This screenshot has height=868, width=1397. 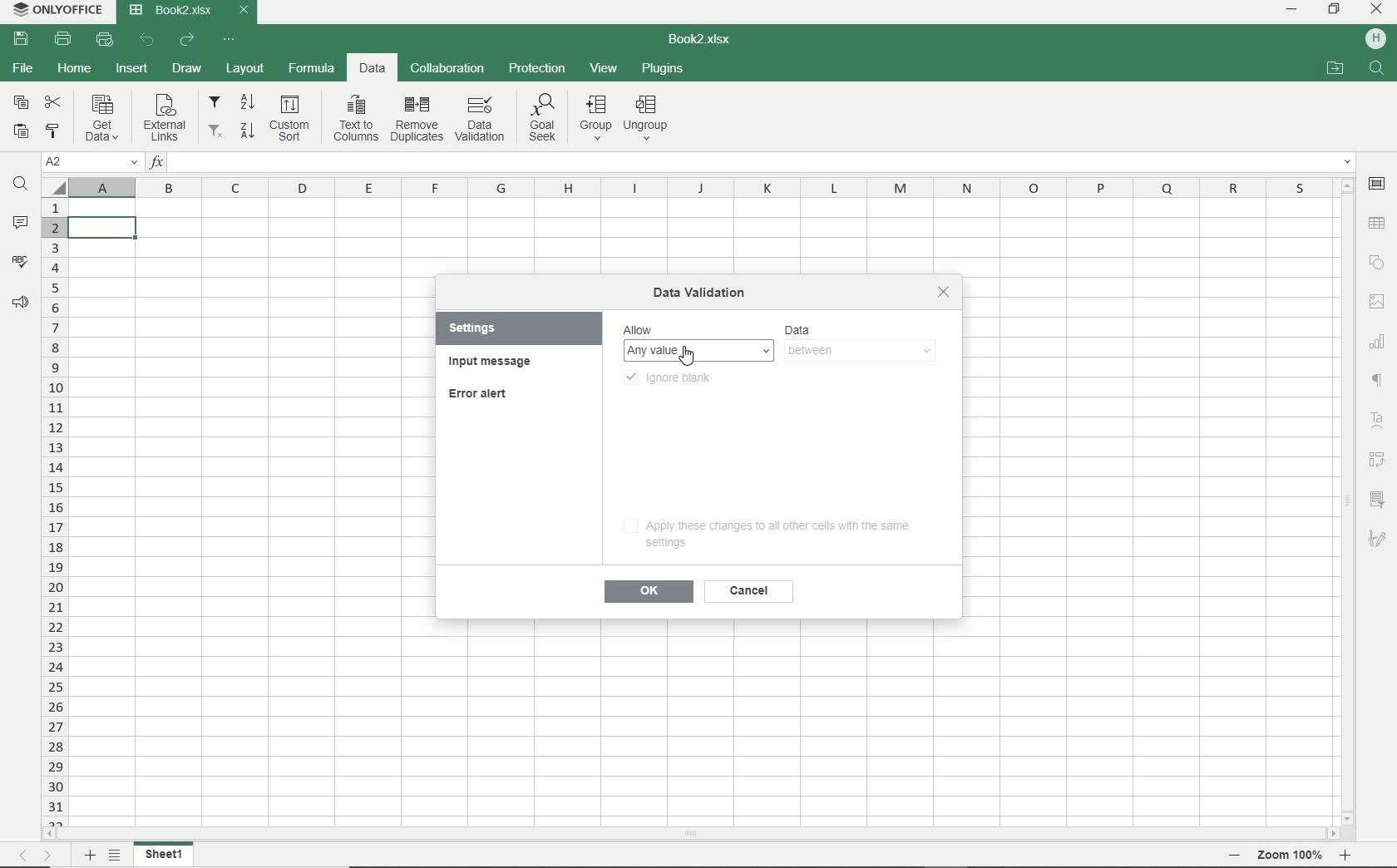 What do you see at coordinates (53, 508) in the screenshot?
I see `ROWS` at bounding box center [53, 508].